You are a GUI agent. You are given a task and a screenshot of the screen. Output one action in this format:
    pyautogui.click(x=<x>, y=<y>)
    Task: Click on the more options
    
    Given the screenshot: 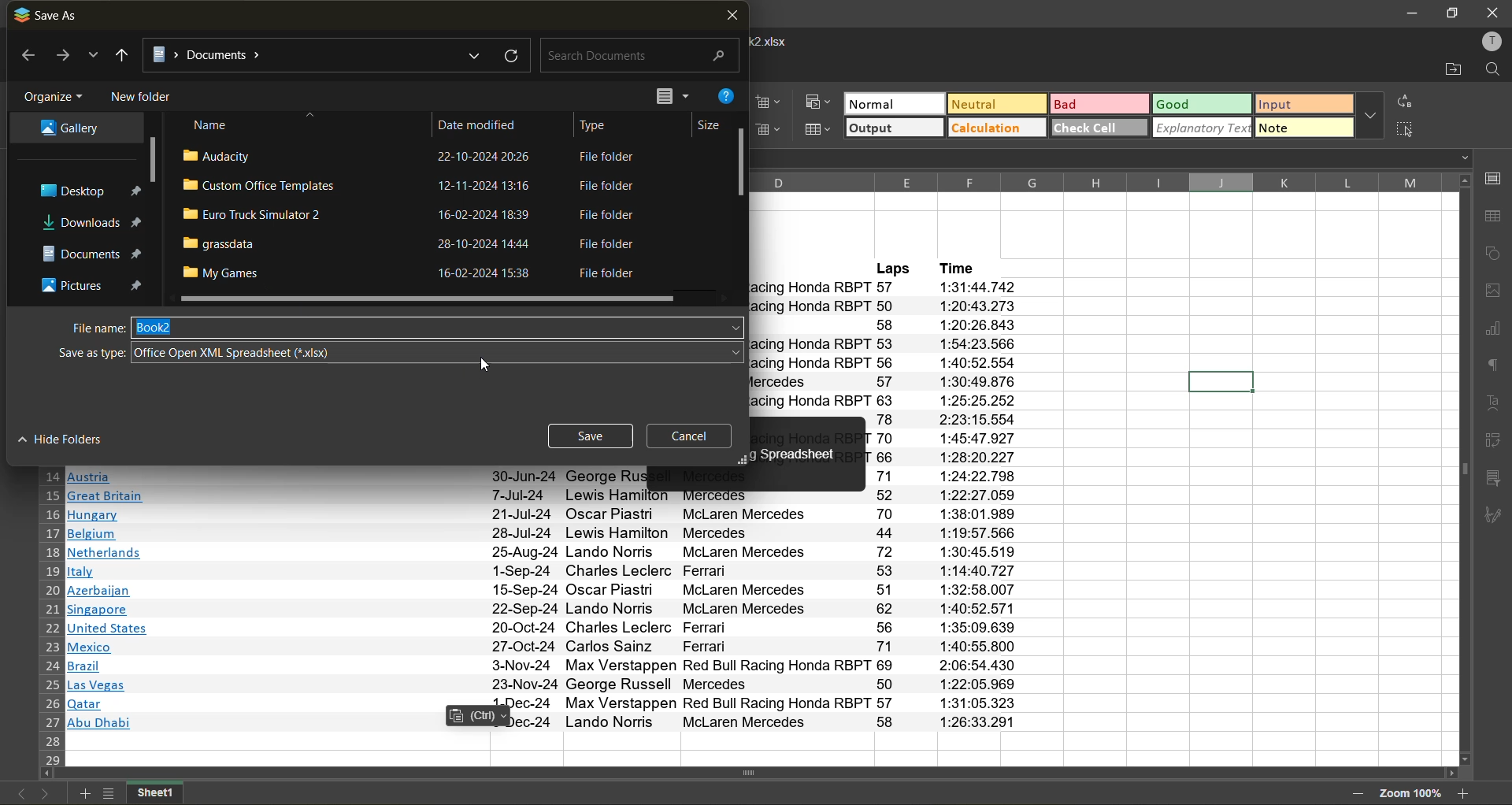 What is the action you would take?
    pyautogui.click(x=1370, y=115)
    